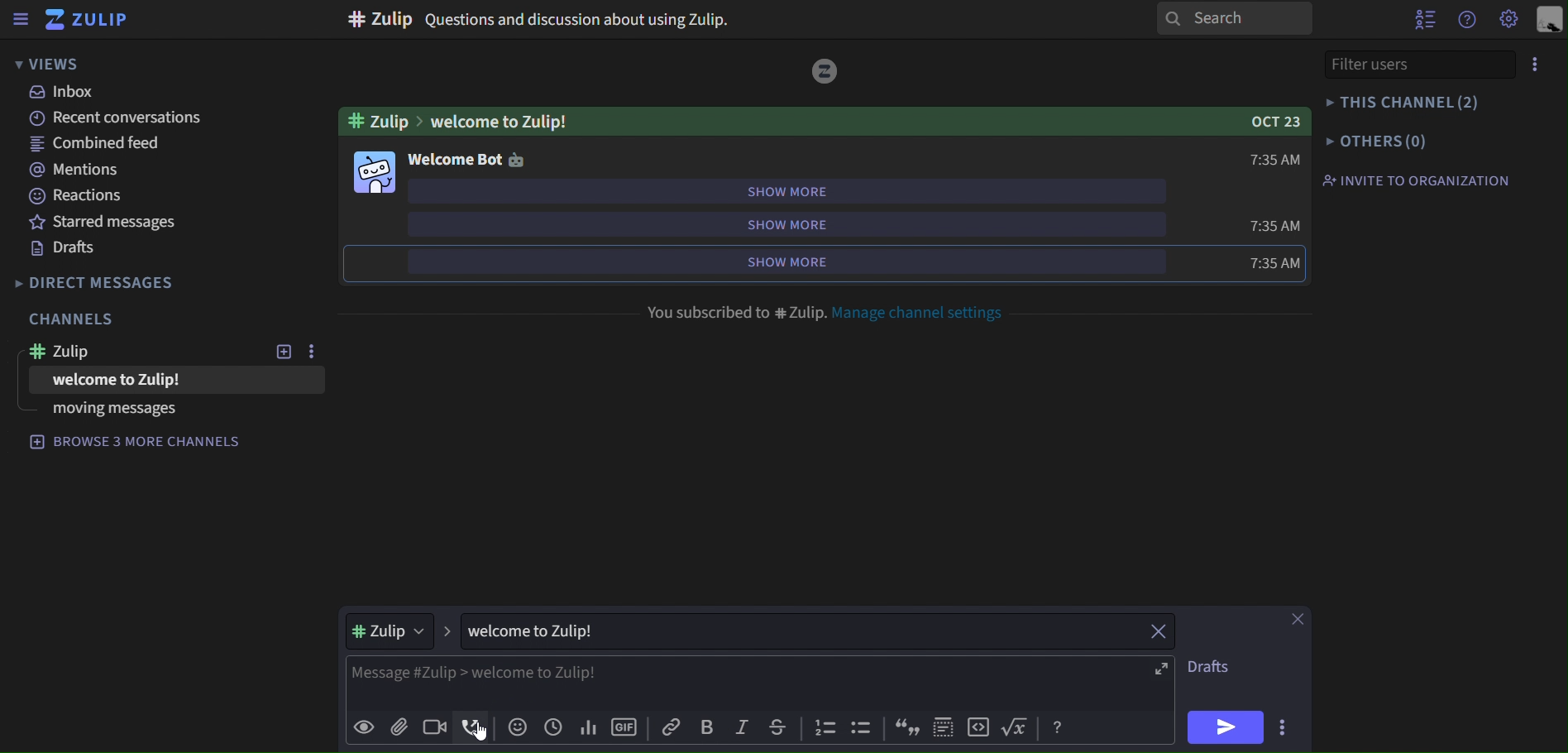  I want to click on main menu, so click(1510, 21).